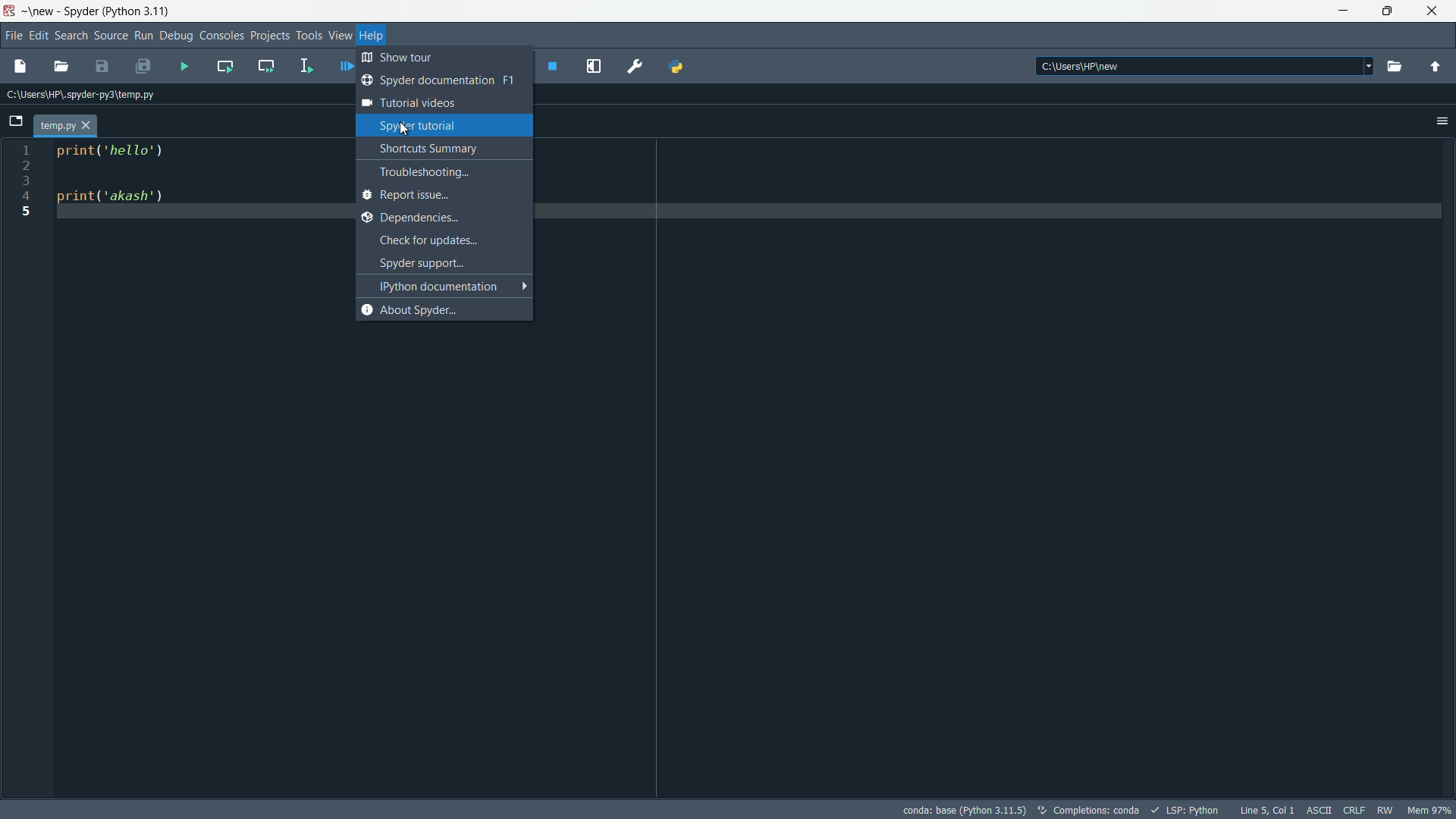 This screenshot has height=819, width=1456. Describe the element at coordinates (406, 130) in the screenshot. I see `cursor` at that location.